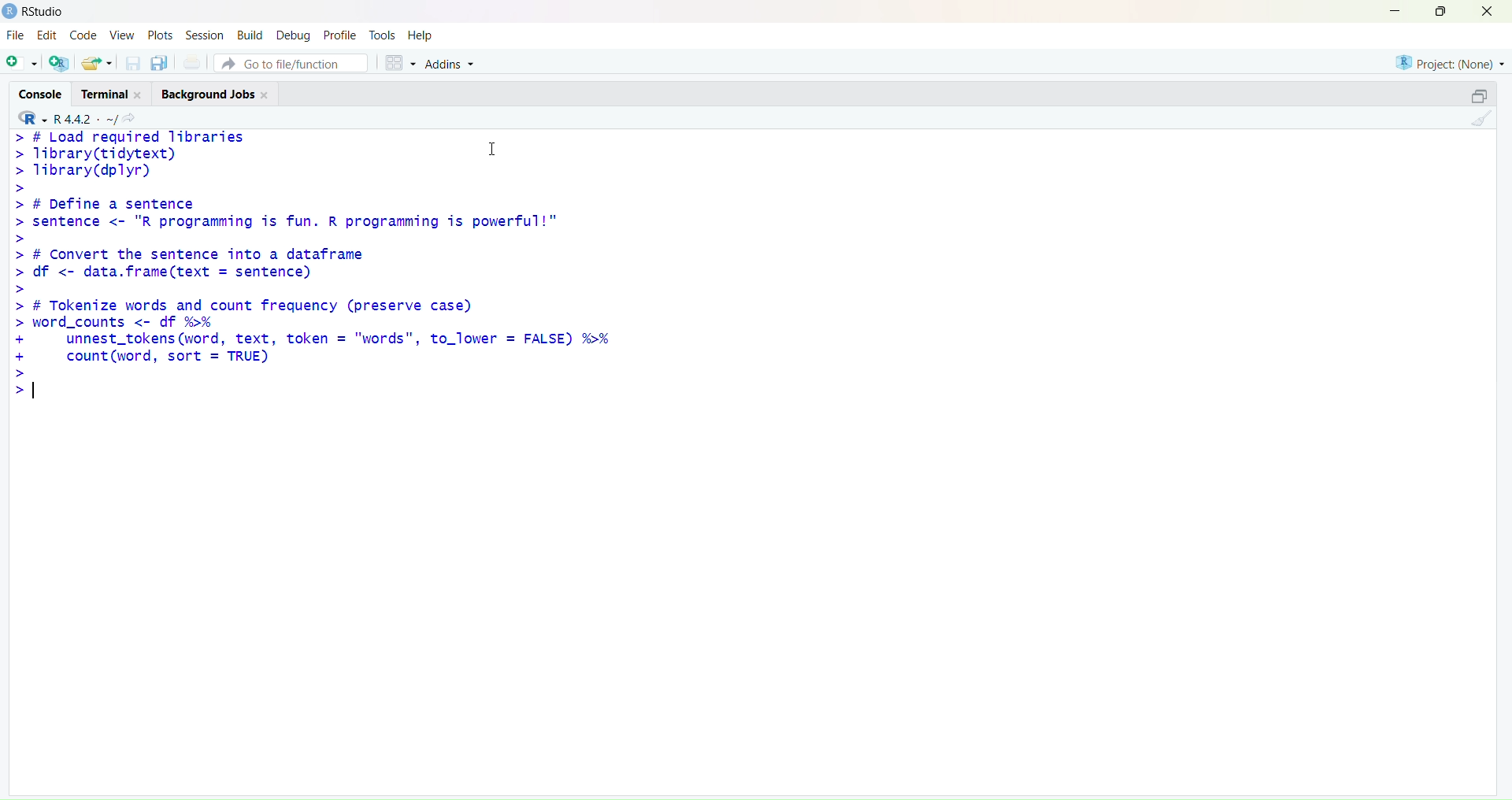 The image size is (1512, 800). Describe the element at coordinates (421, 37) in the screenshot. I see `help` at that location.